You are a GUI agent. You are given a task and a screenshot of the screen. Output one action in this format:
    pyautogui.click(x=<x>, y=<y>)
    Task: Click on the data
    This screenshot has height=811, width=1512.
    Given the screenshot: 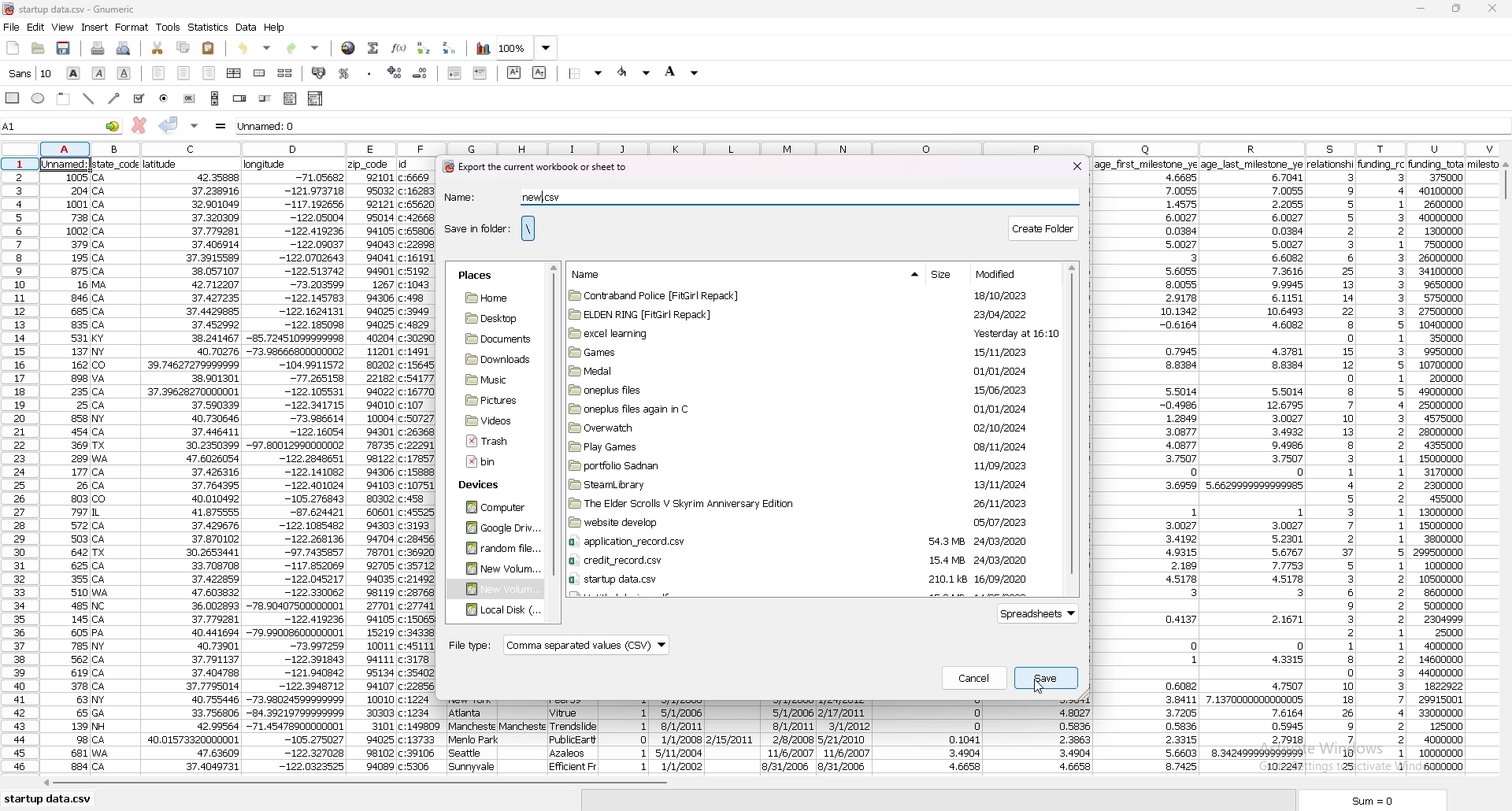 What is the action you would take?
    pyautogui.click(x=926, y=739)
    